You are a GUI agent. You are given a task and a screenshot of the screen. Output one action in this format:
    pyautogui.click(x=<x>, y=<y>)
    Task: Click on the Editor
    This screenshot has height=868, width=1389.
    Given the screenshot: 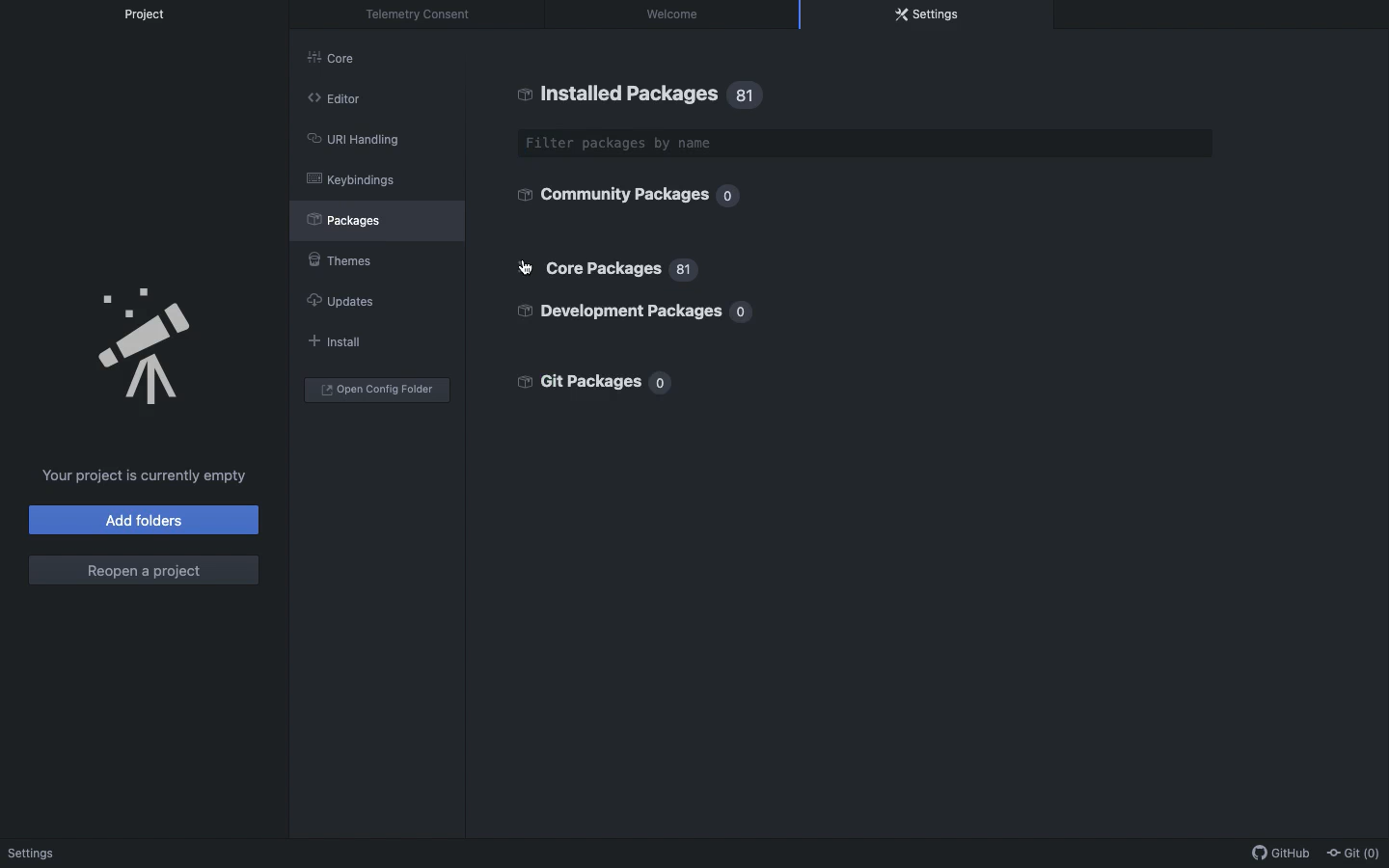 What is the action you would take?
    pyautogui.click(x=334, y=96)
    